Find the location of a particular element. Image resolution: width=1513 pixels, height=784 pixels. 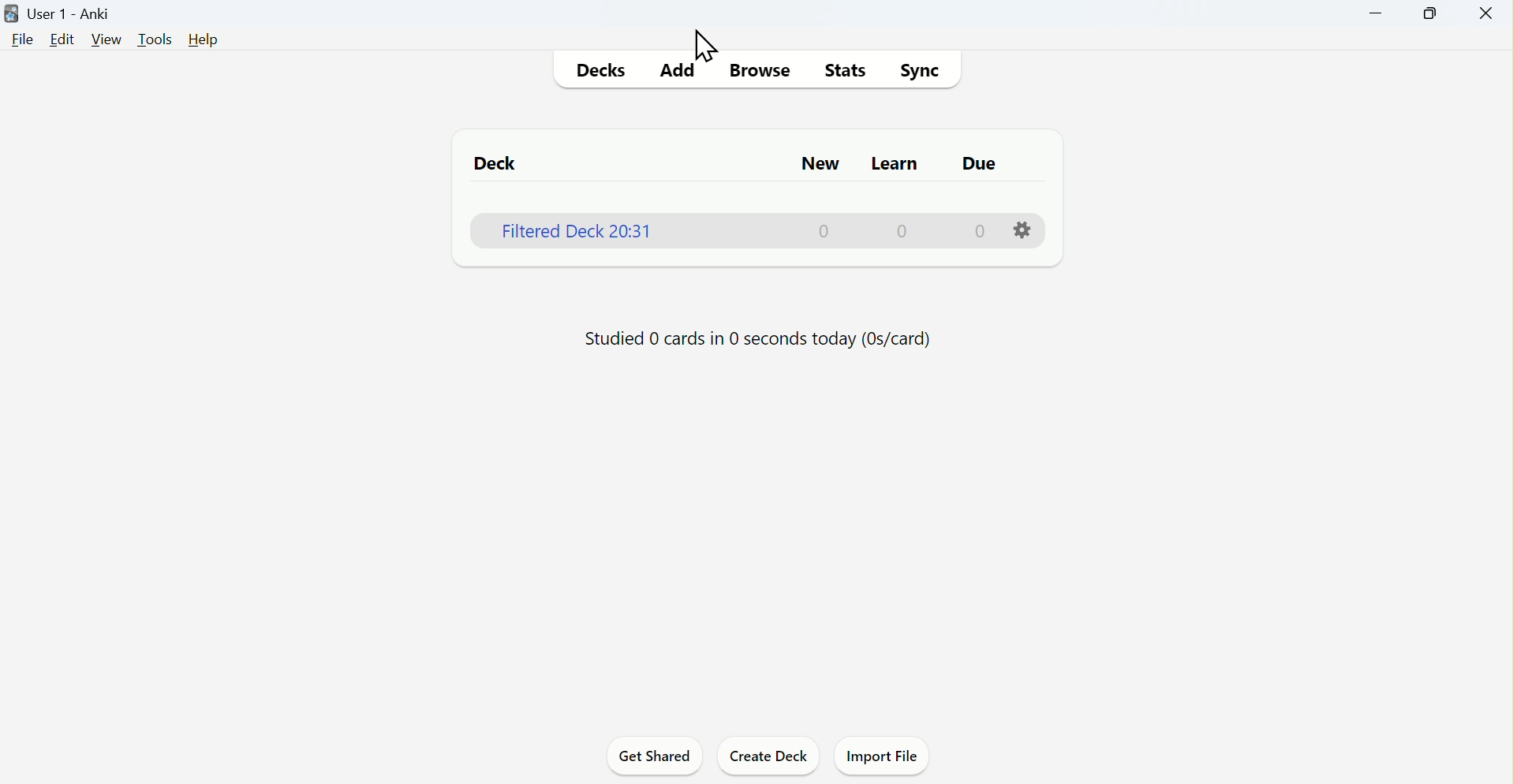

Create deck is located at coordinates (771, 758).